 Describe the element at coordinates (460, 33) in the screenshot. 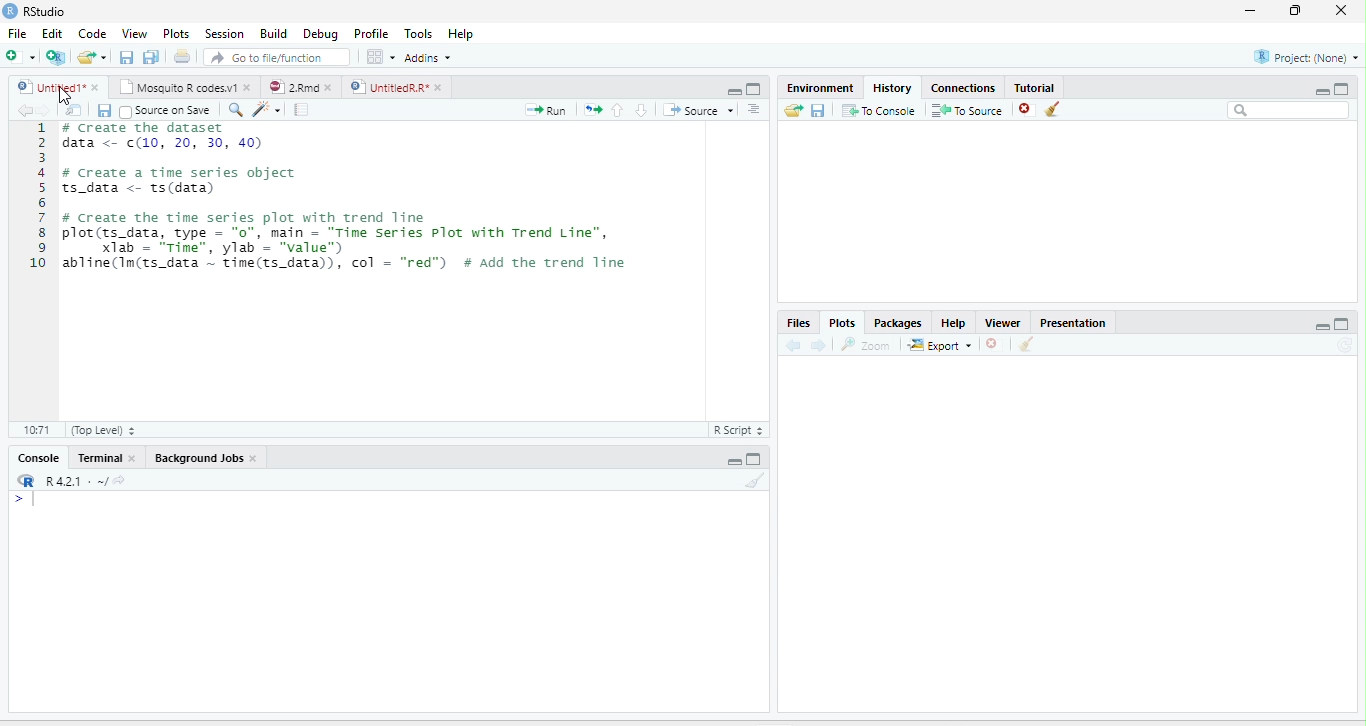

I see `Help` at that location.